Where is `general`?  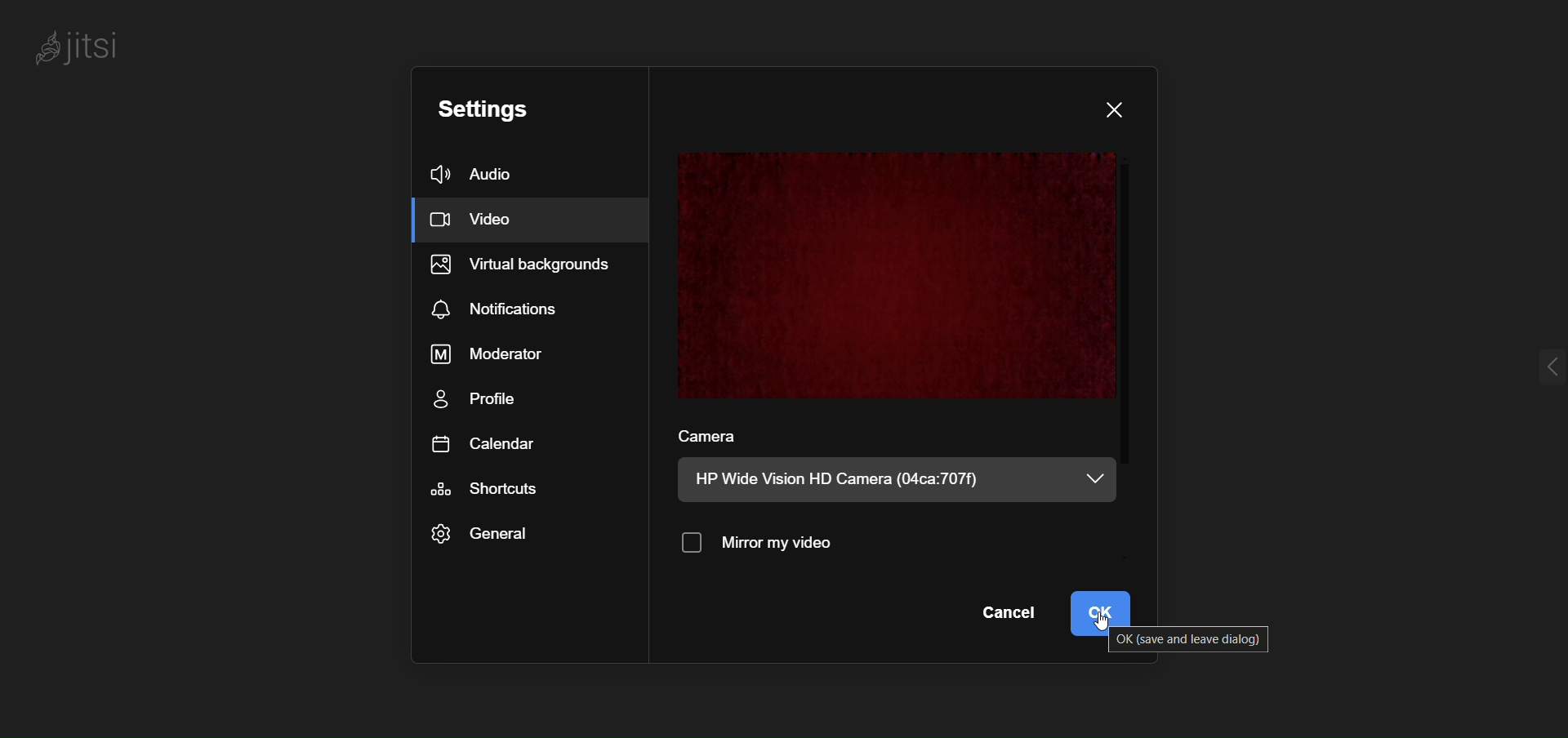
general is located at coordinates (481, 536).